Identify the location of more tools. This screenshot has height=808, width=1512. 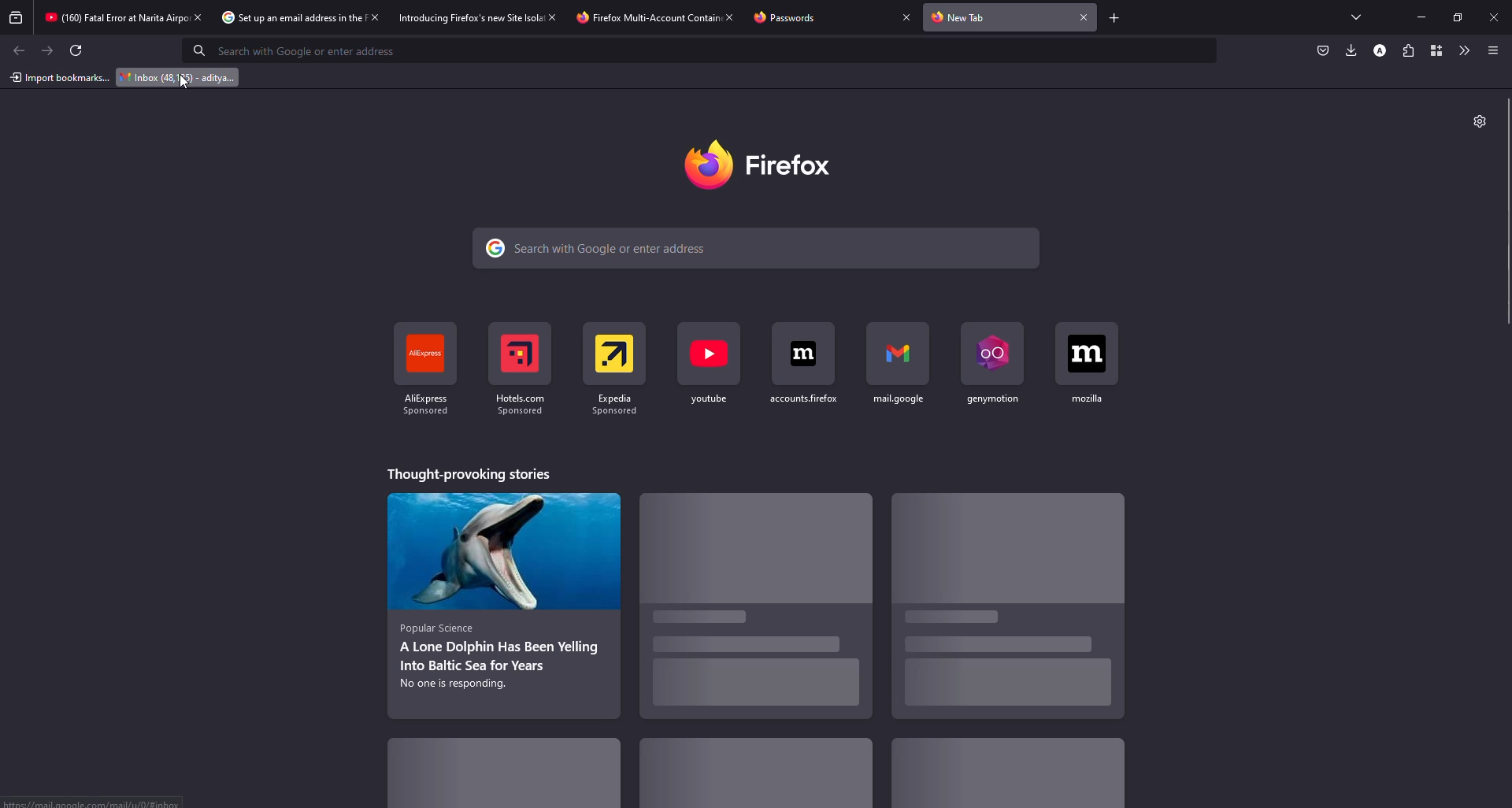
(1462, 49).